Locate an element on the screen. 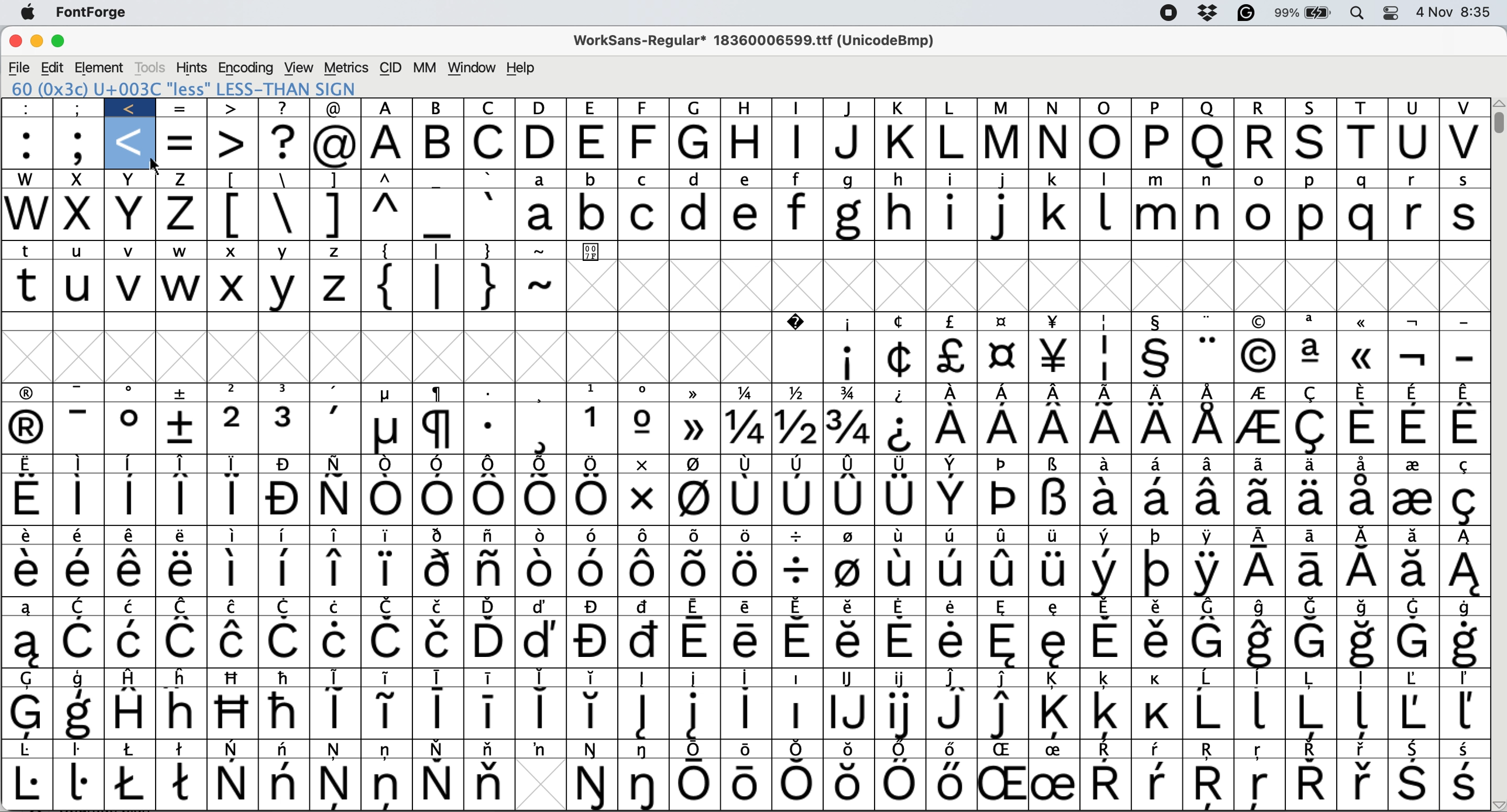  Symbol is located at coordinates (1363, 783).